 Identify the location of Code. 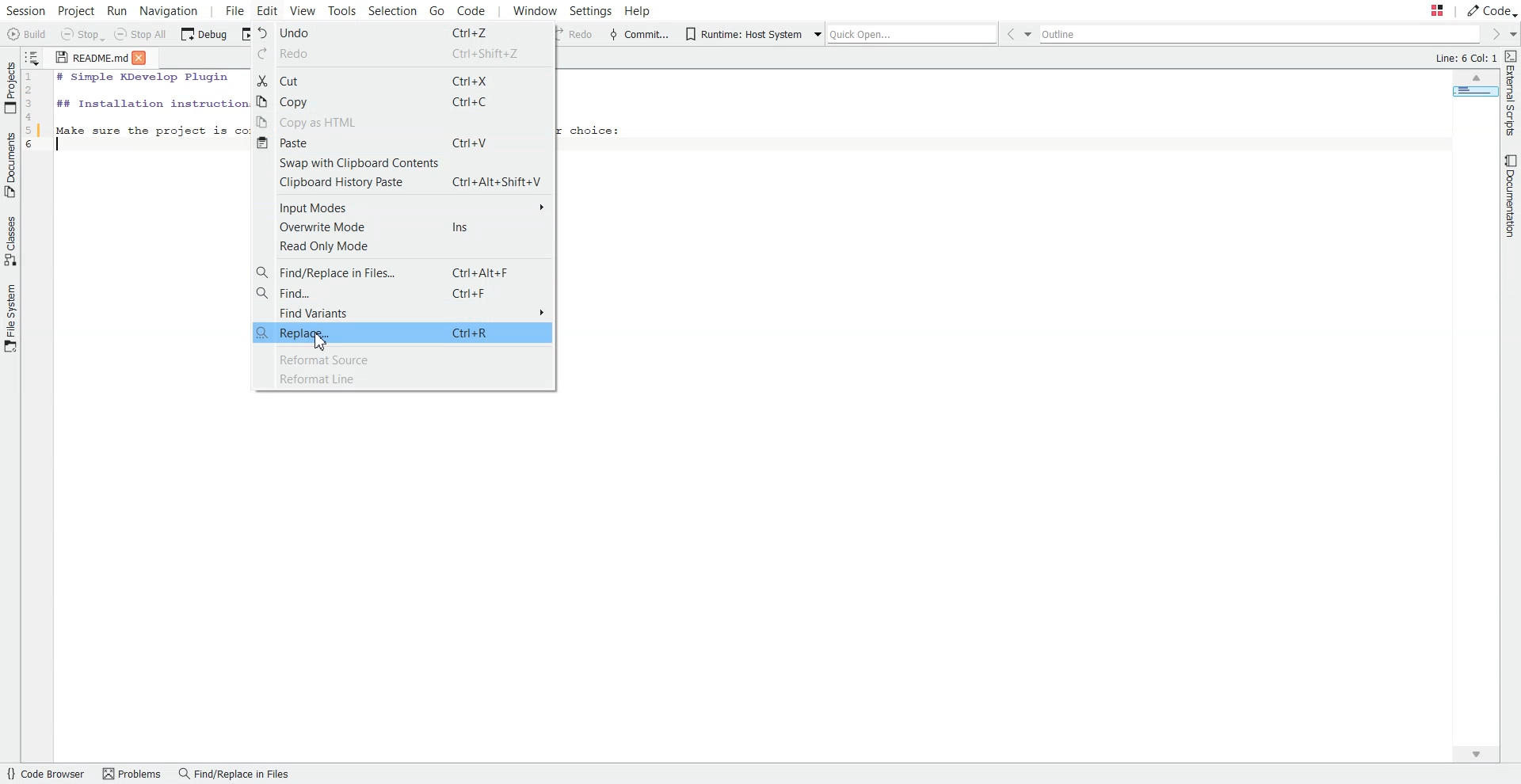
(1491, 10).